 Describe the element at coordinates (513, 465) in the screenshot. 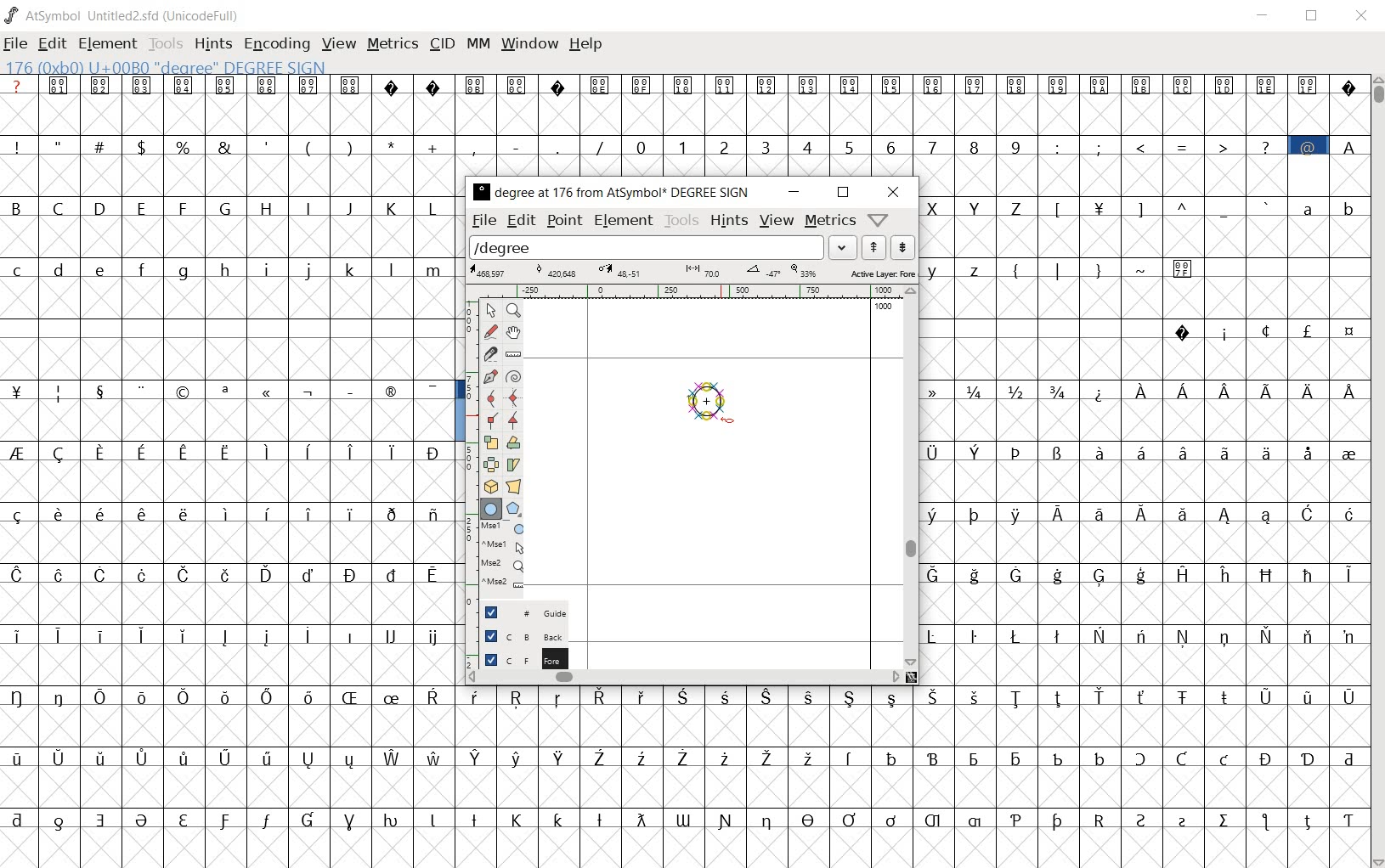

I see `skew the selection` at that location.